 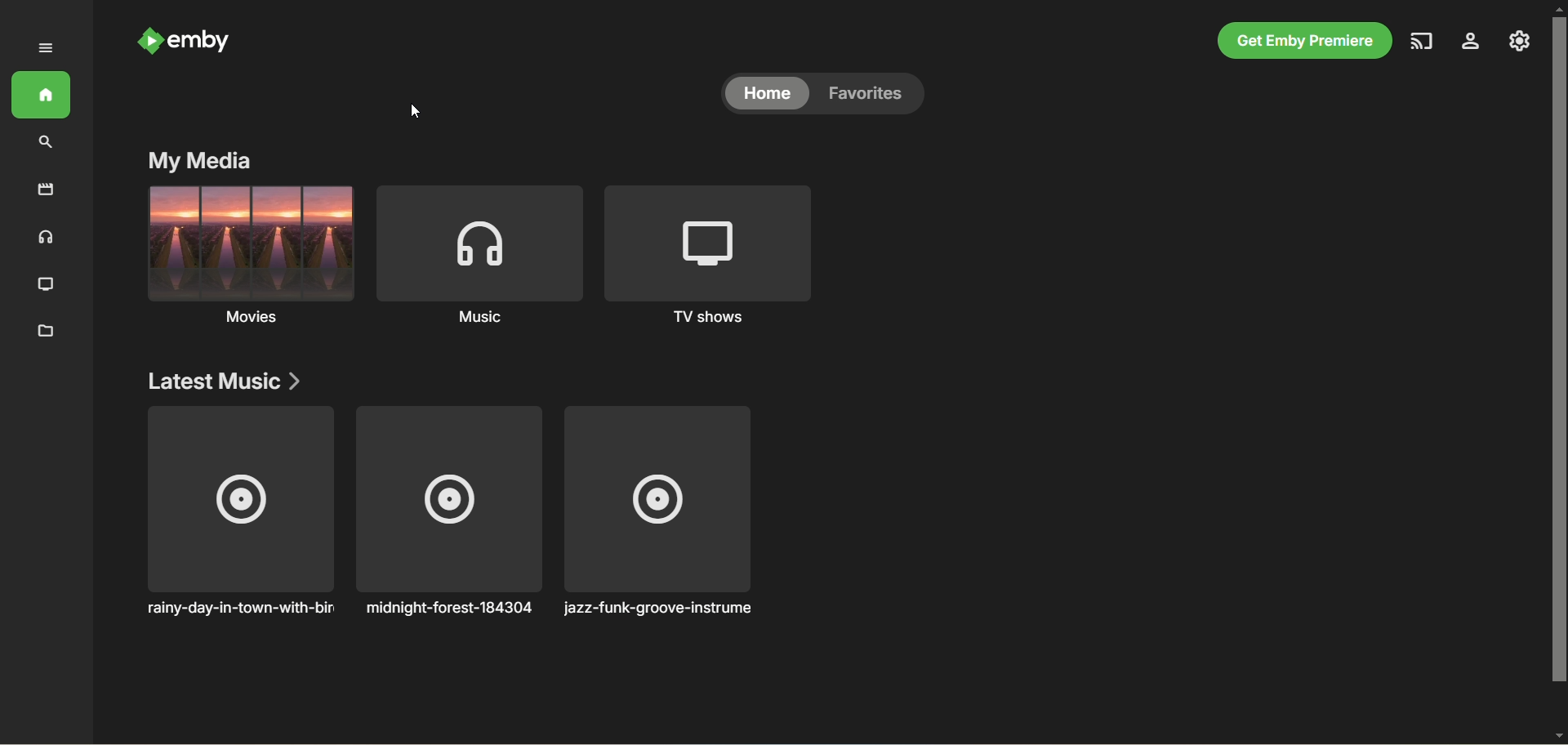 I want to click on emby, so click(x=189, y=42).